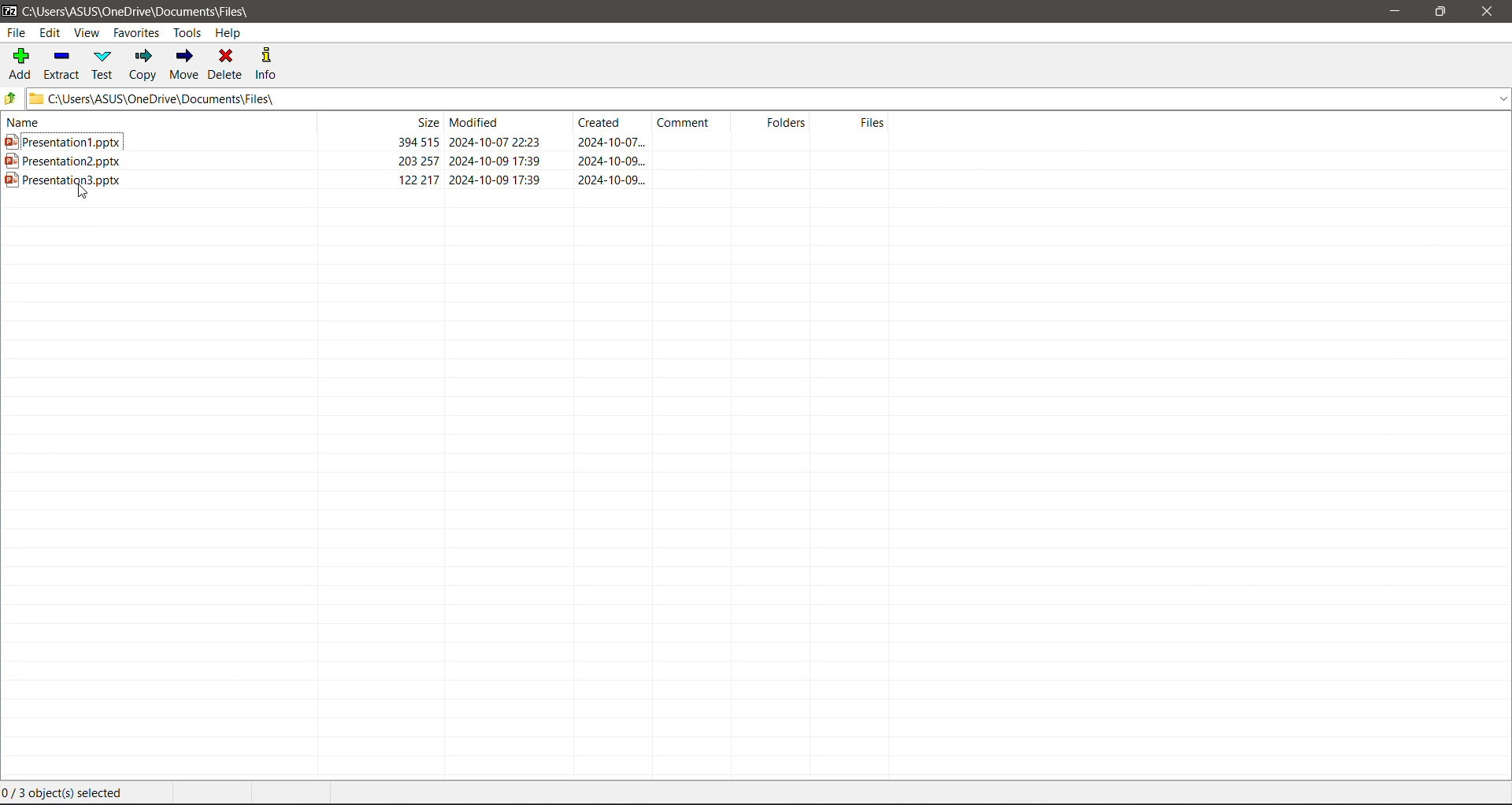 The image size is (1512, 805). What do you see at coordinates (104, 65) in the screenshot?
I see `Test` at bounding box center [104, 65].